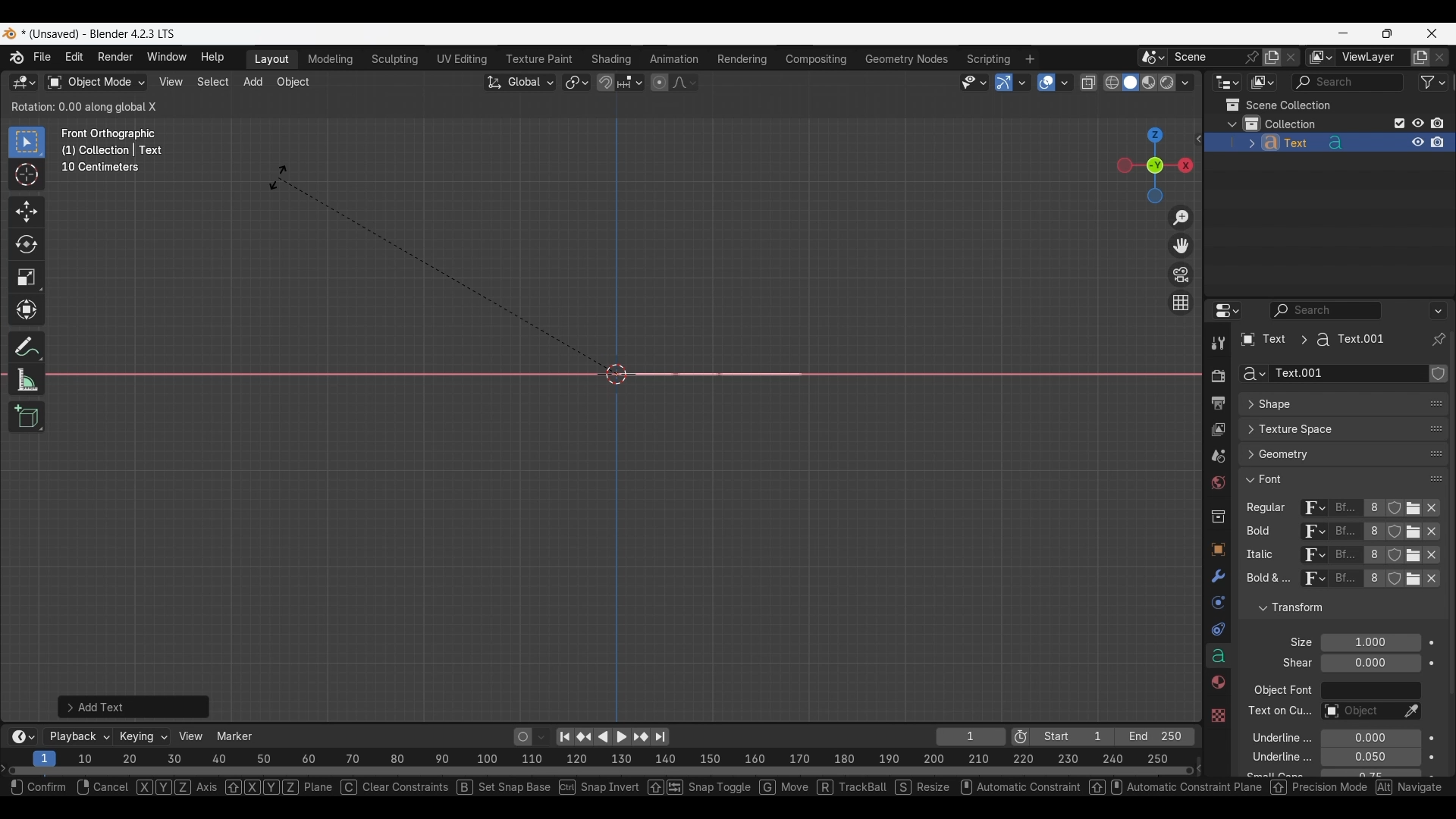 Image resolution: width=1456 pixels, height=819 pixels. Describe the element at coordinates (281, 182) in the screenshot. I see `Cursor position unchanged while pressing "rx" combination ` at that location.